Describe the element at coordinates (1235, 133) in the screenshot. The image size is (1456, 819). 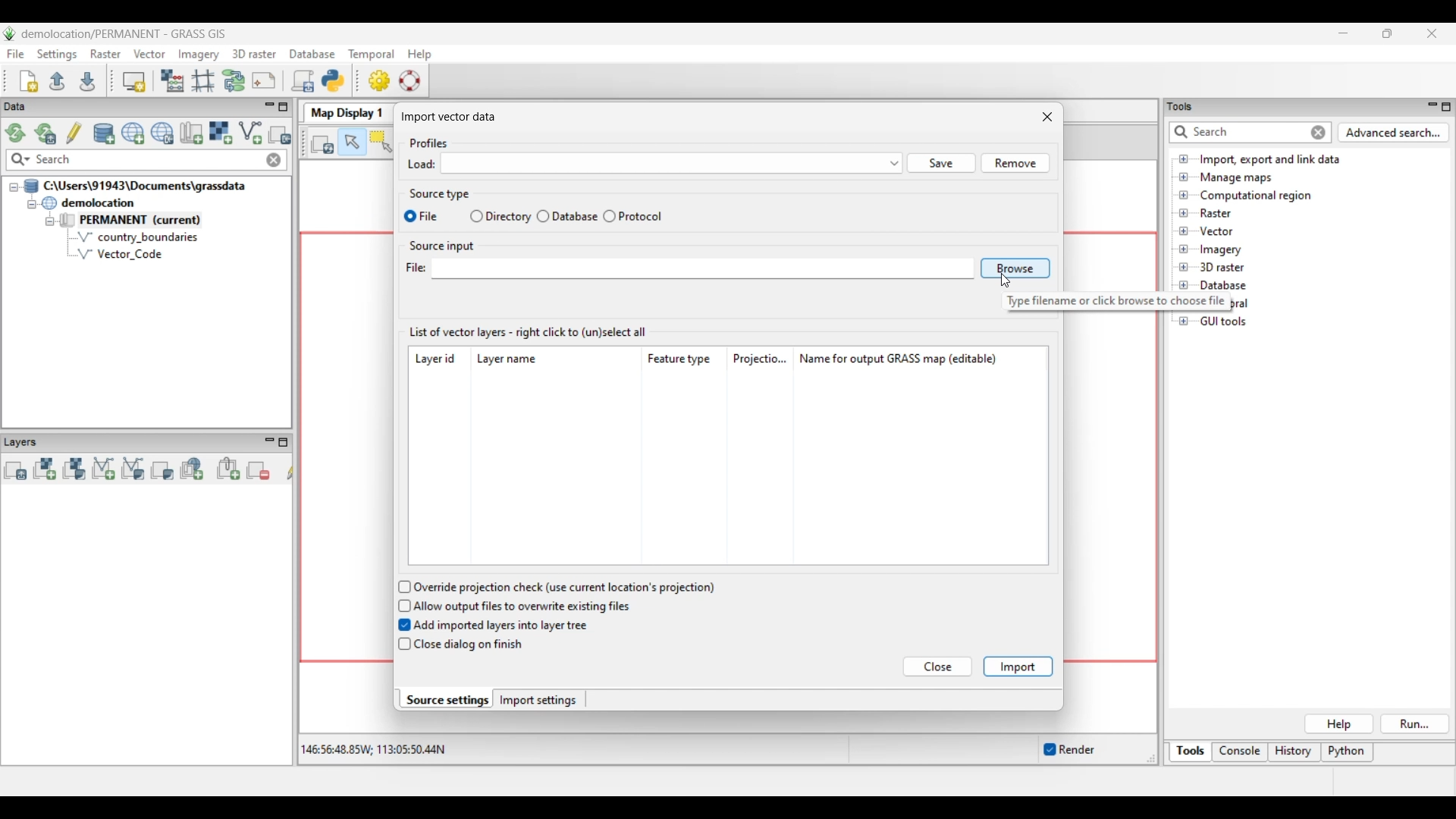
I see `Type in or enter details for quick search` at that location.